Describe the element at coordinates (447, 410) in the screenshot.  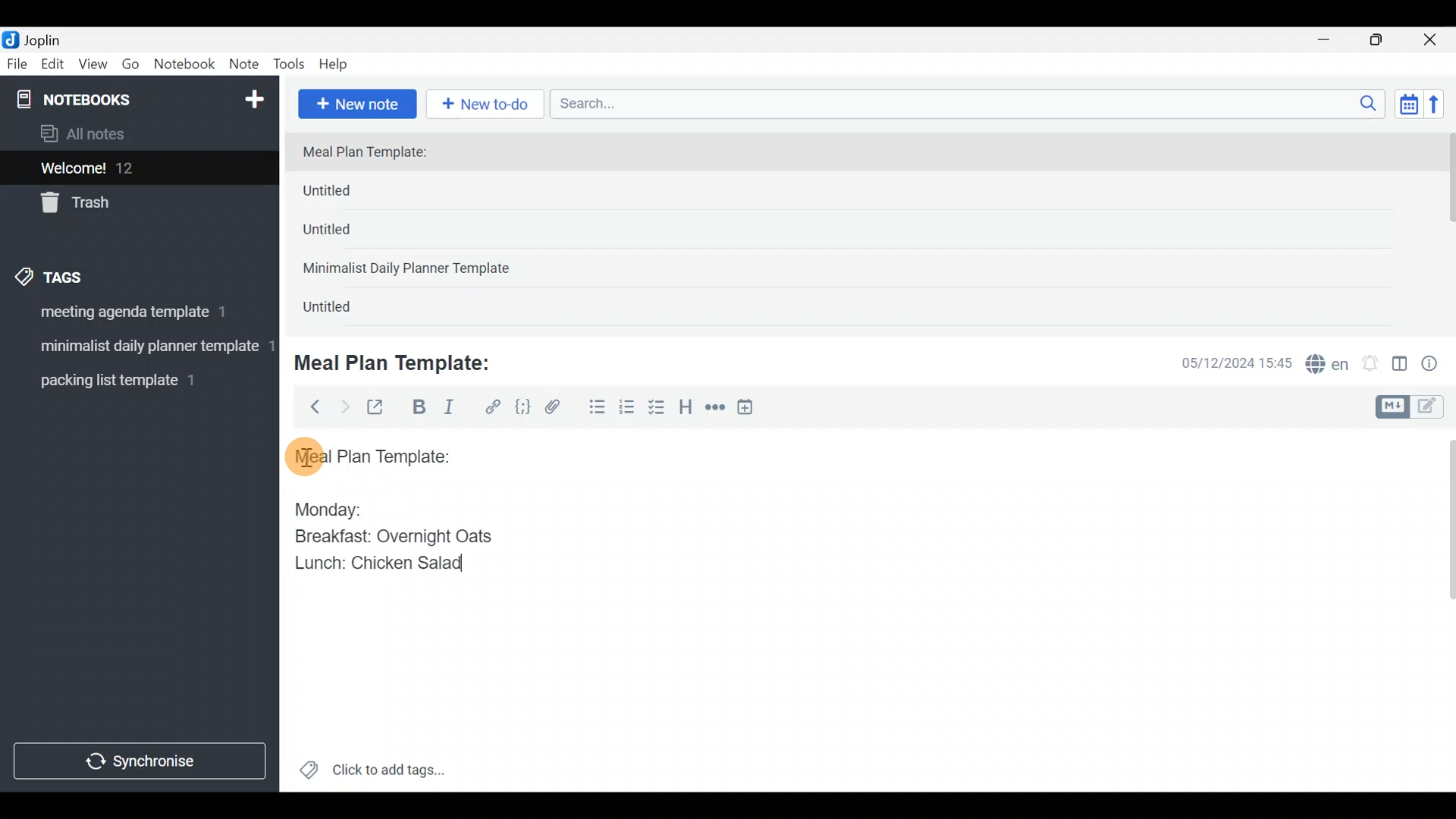
I see `Italic` at that location.